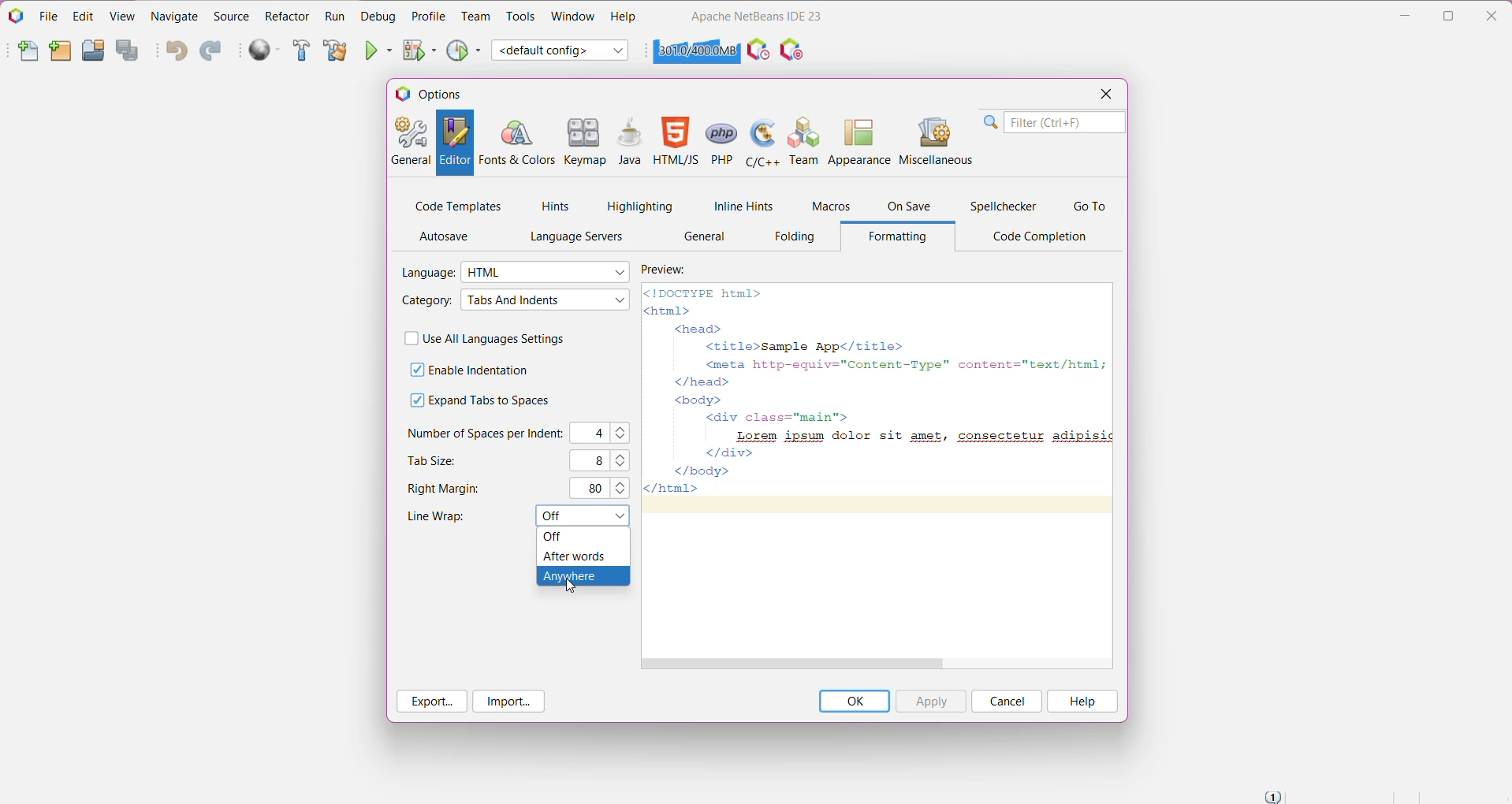 This screenshot has width=1512, height=804. I want to click on Apply, so click(930, 701).